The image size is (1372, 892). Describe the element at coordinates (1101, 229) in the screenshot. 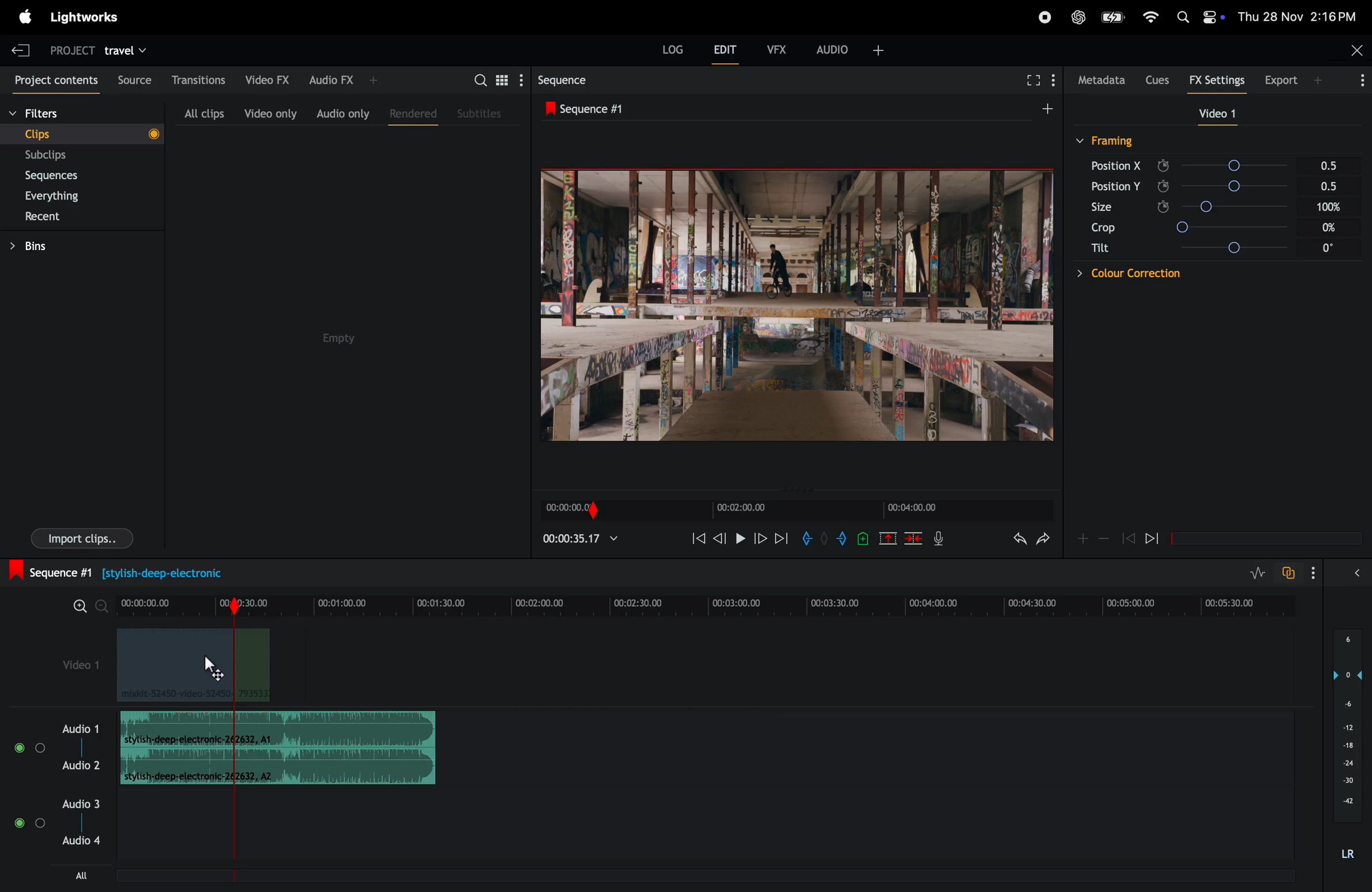

I see `crop` at that location.